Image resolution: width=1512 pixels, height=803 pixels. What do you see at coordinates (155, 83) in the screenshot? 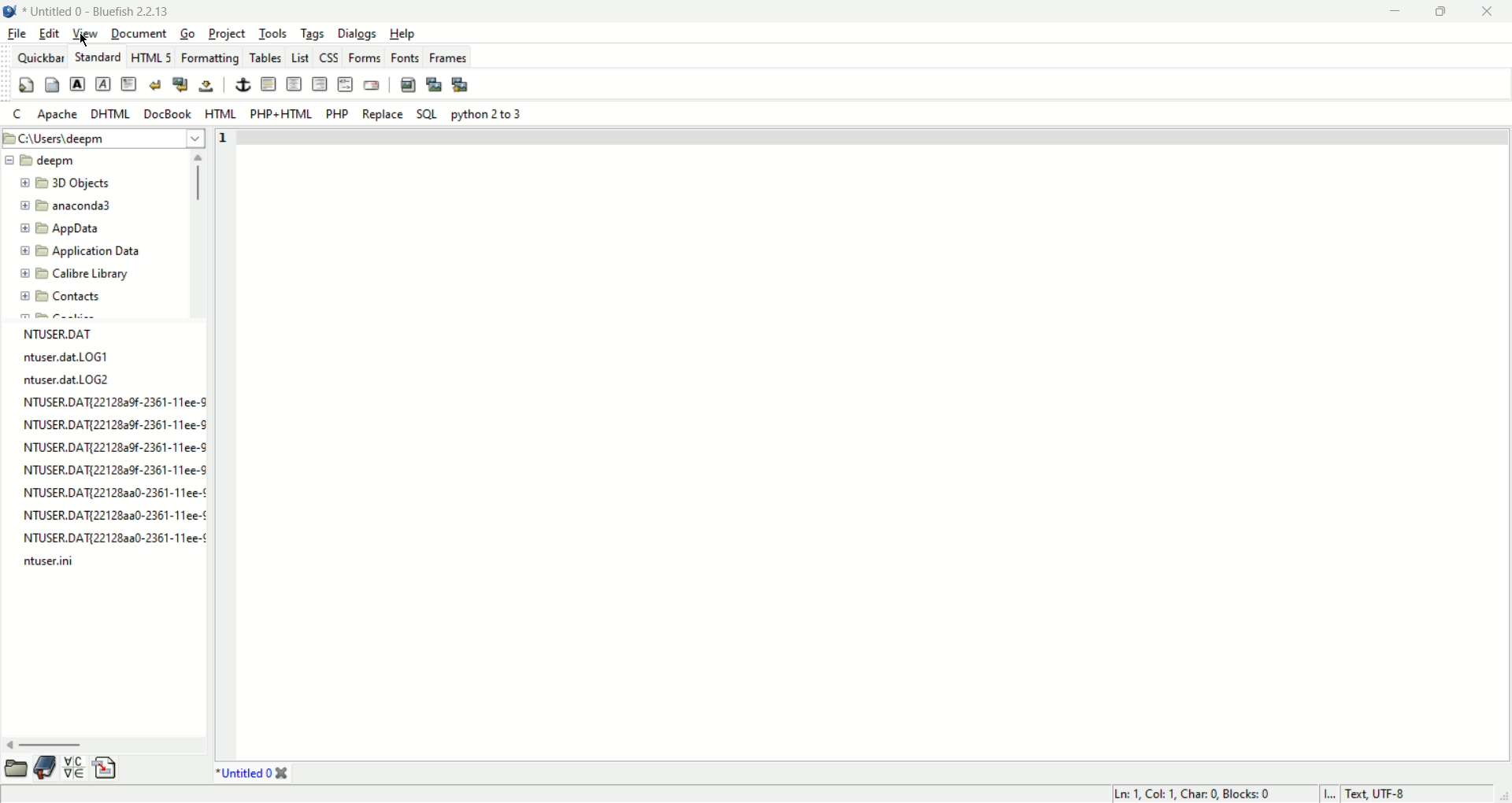
I see `break` at bounding box center [155, 83].